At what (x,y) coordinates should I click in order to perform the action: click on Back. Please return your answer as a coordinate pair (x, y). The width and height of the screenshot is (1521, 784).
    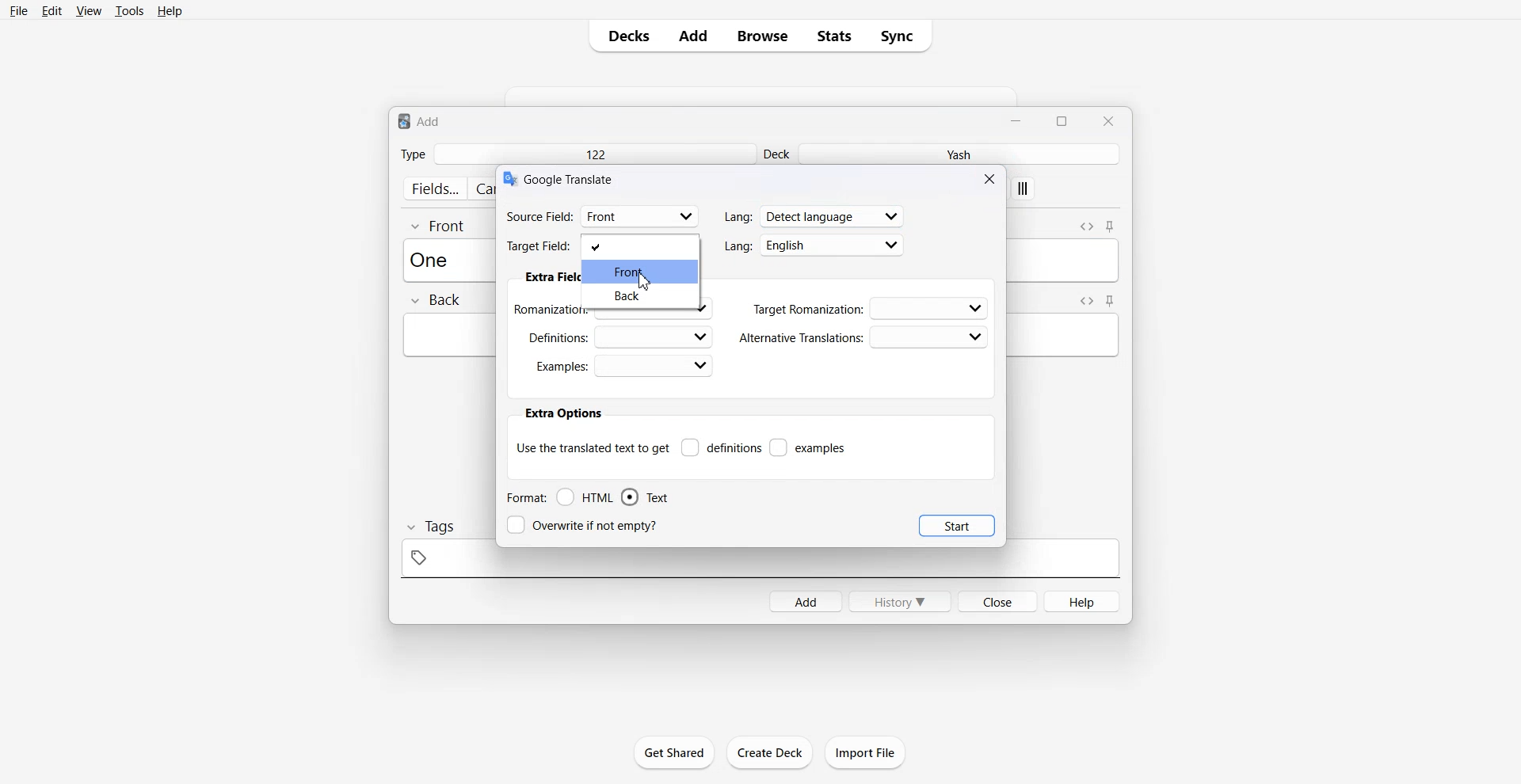
    Looking at the image, I should click on (642, 297).